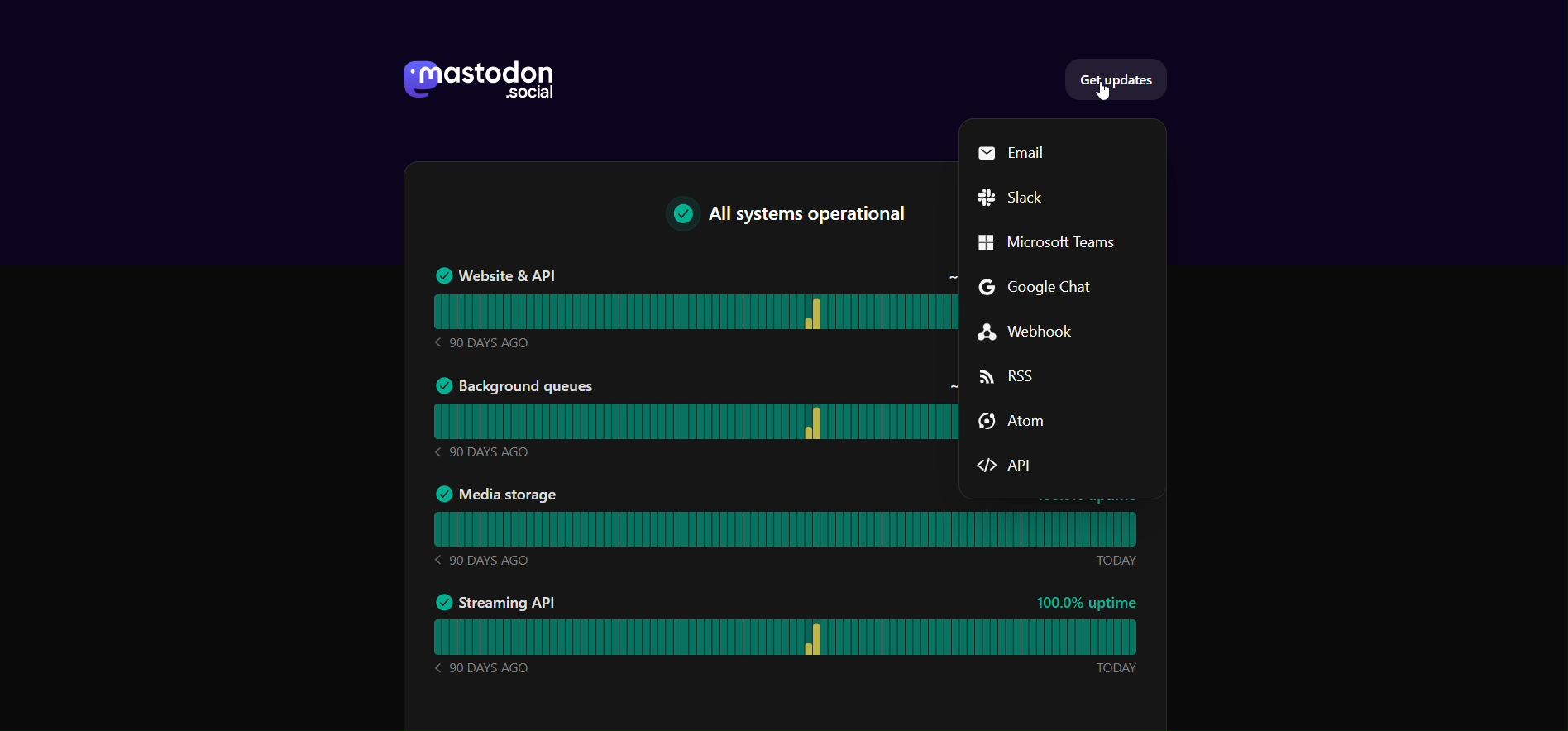 Image resolution: width=1568 pixels, height=731 pixels. I want to click on logo, so click(471, 76).